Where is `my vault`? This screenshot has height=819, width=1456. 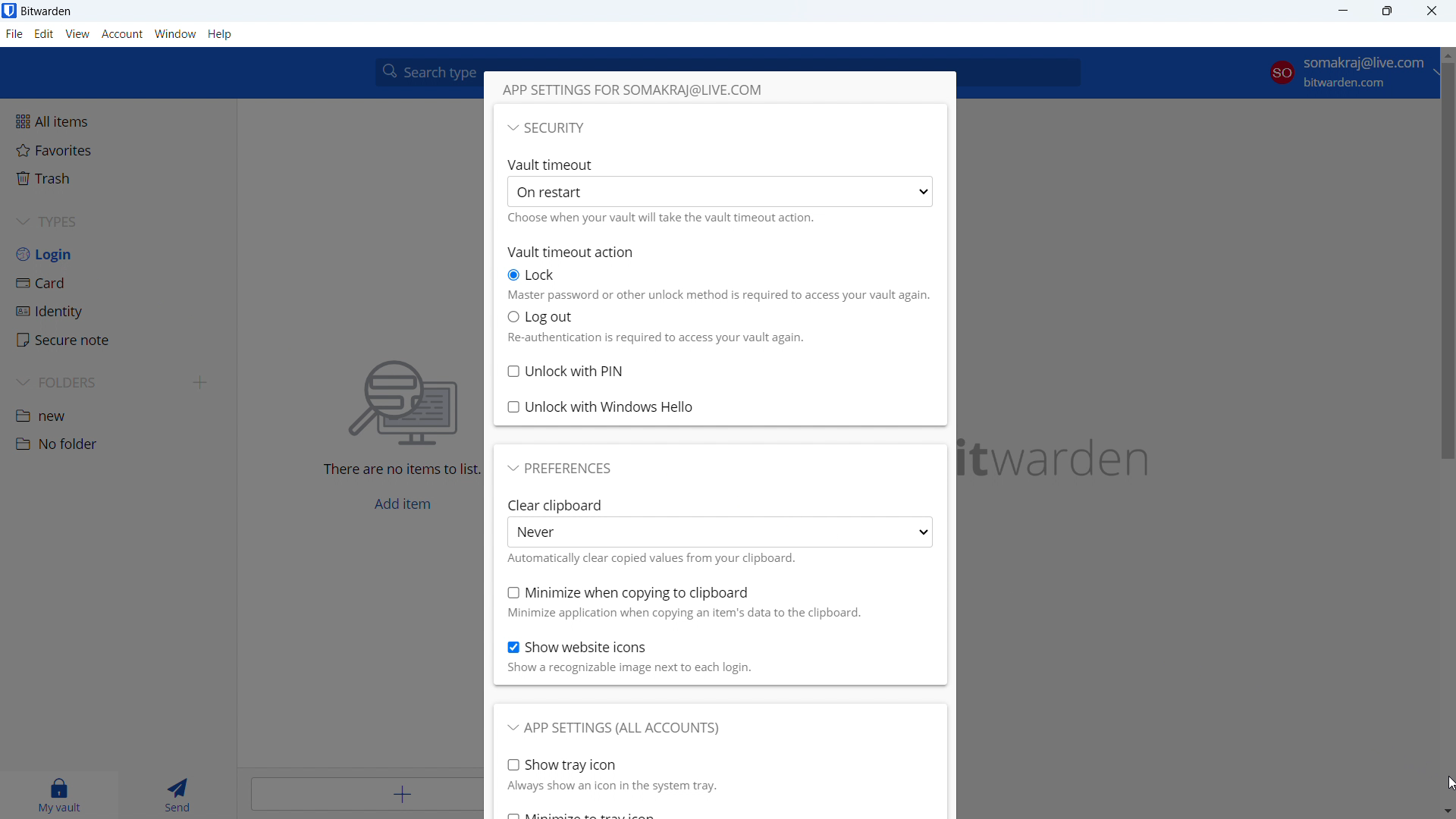 my vault is located at coordinates (58, 795).